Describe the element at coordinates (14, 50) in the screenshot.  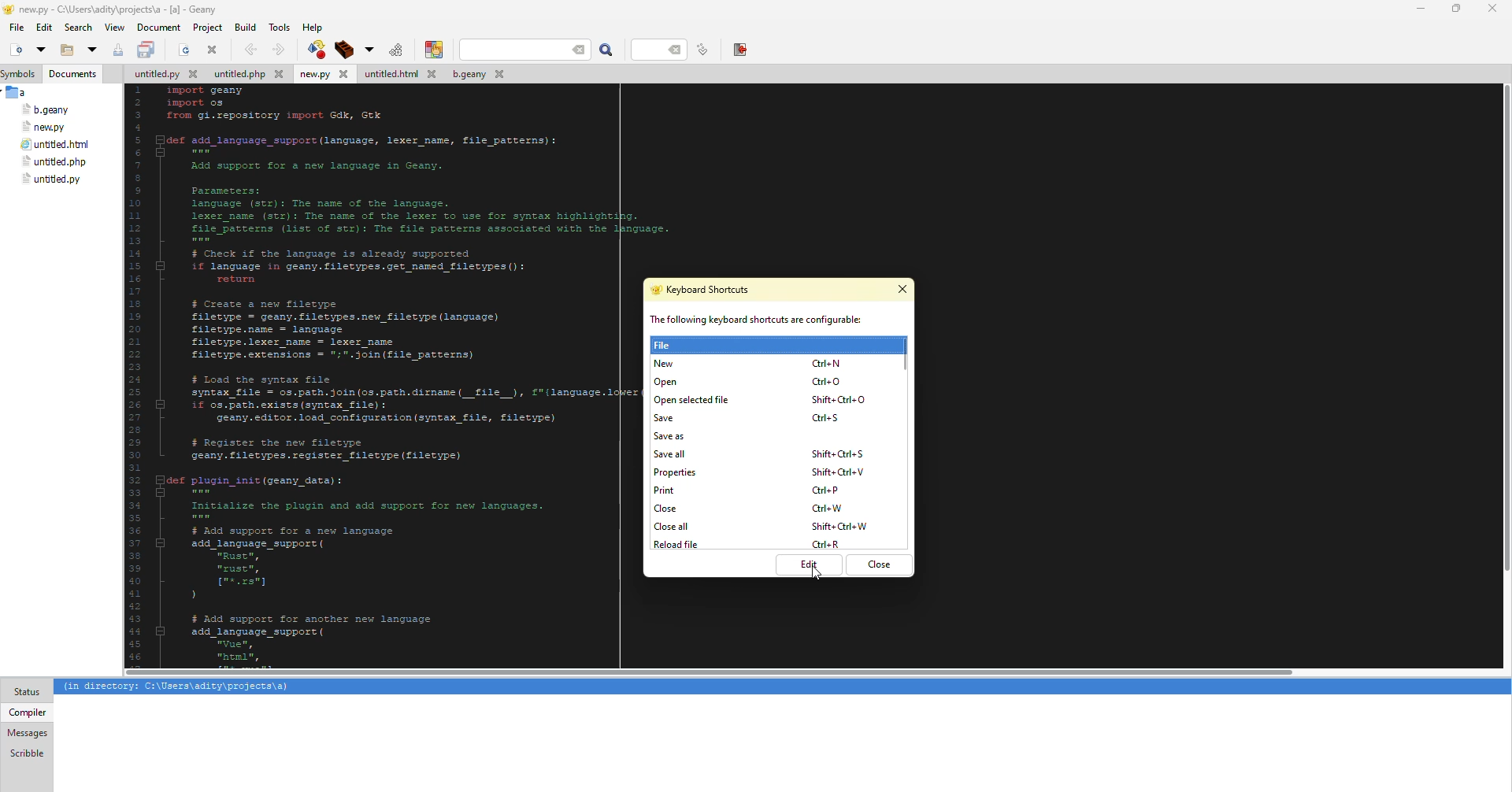
I see `new` at that location.